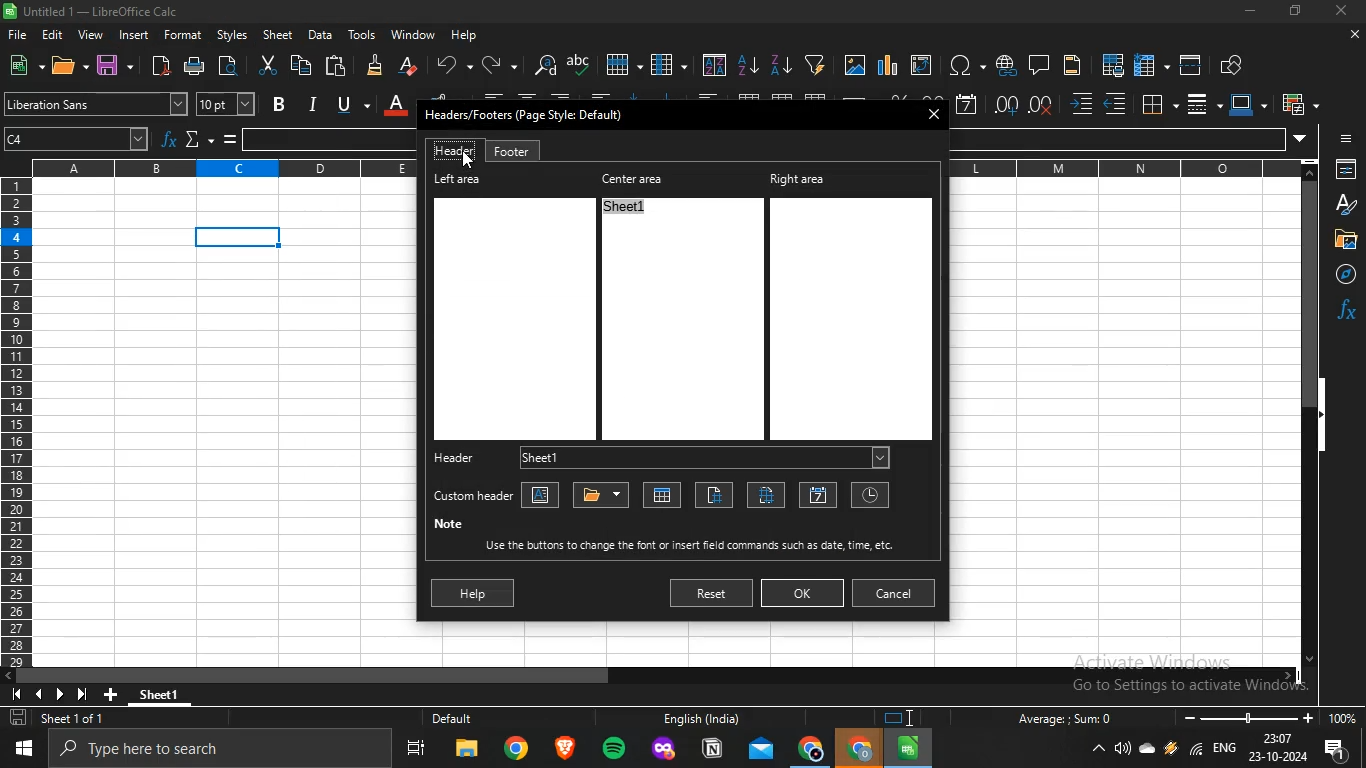  What do you see at coordinates (895, 591) in the screenshot?
I see `cancel` at bounding box center [895, 591].